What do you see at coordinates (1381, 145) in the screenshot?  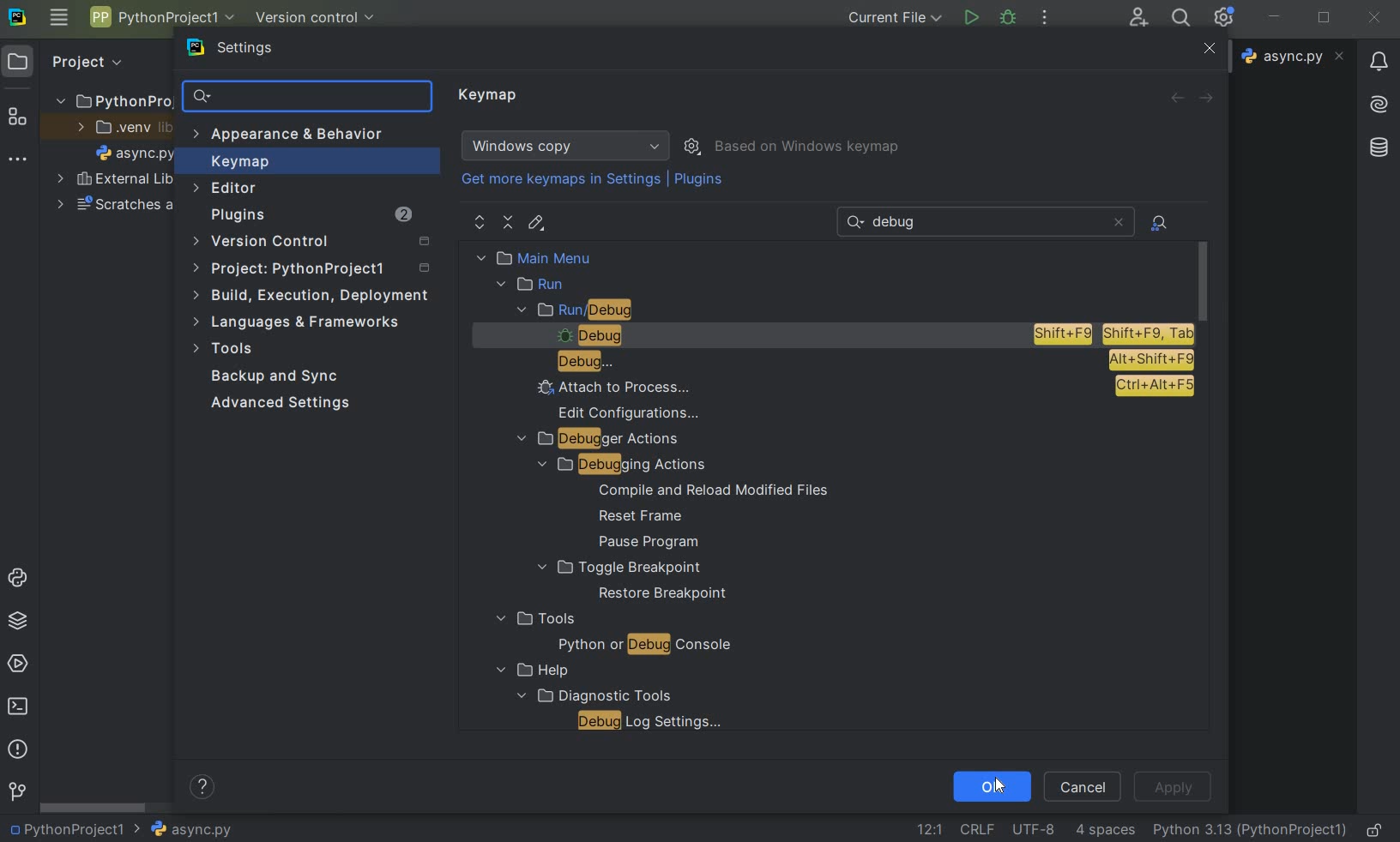 I see `database` at bounding box center [1381, 145].